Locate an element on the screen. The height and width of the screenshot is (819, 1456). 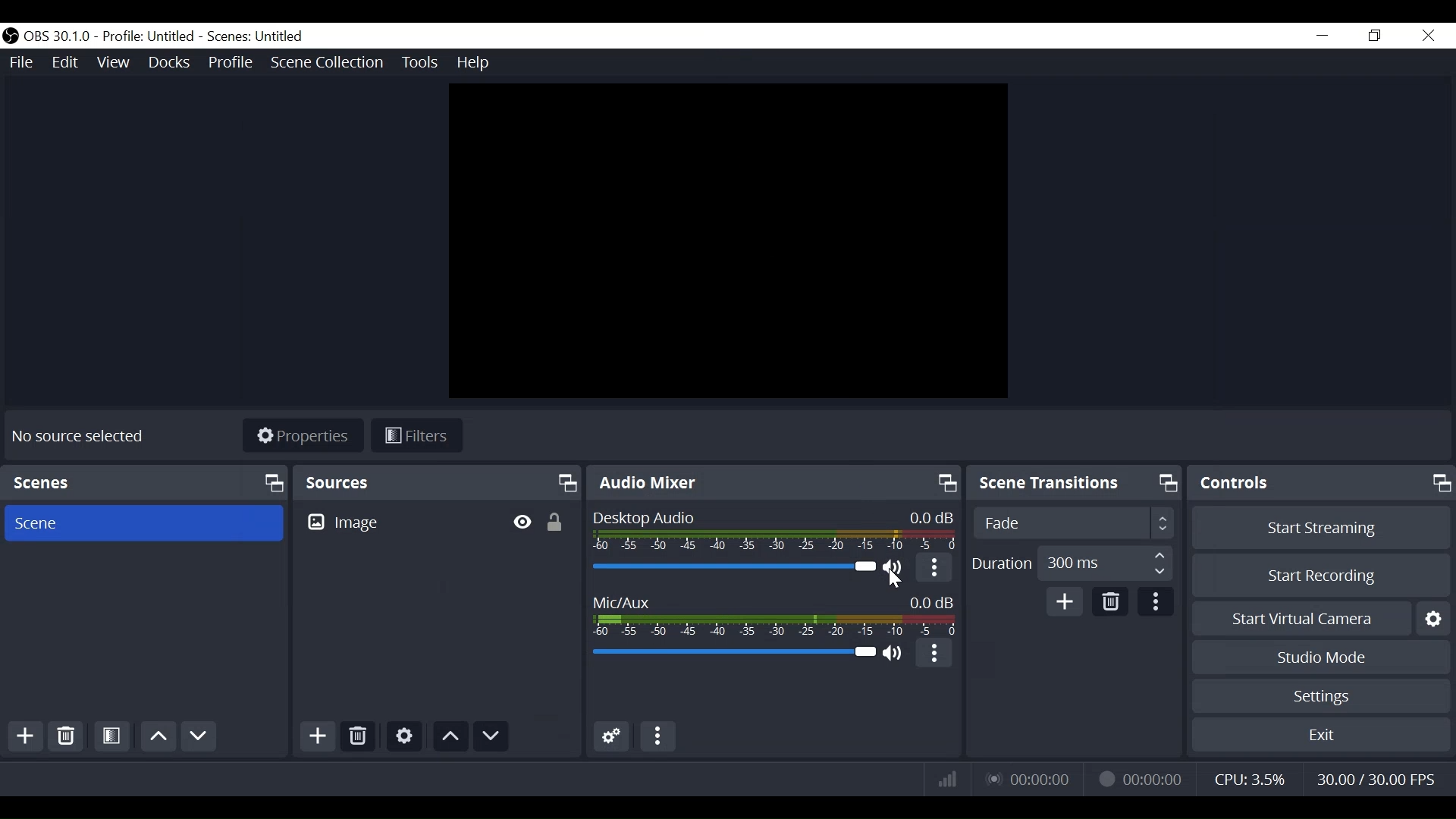
Scenes is located at coordinates (144, 484).